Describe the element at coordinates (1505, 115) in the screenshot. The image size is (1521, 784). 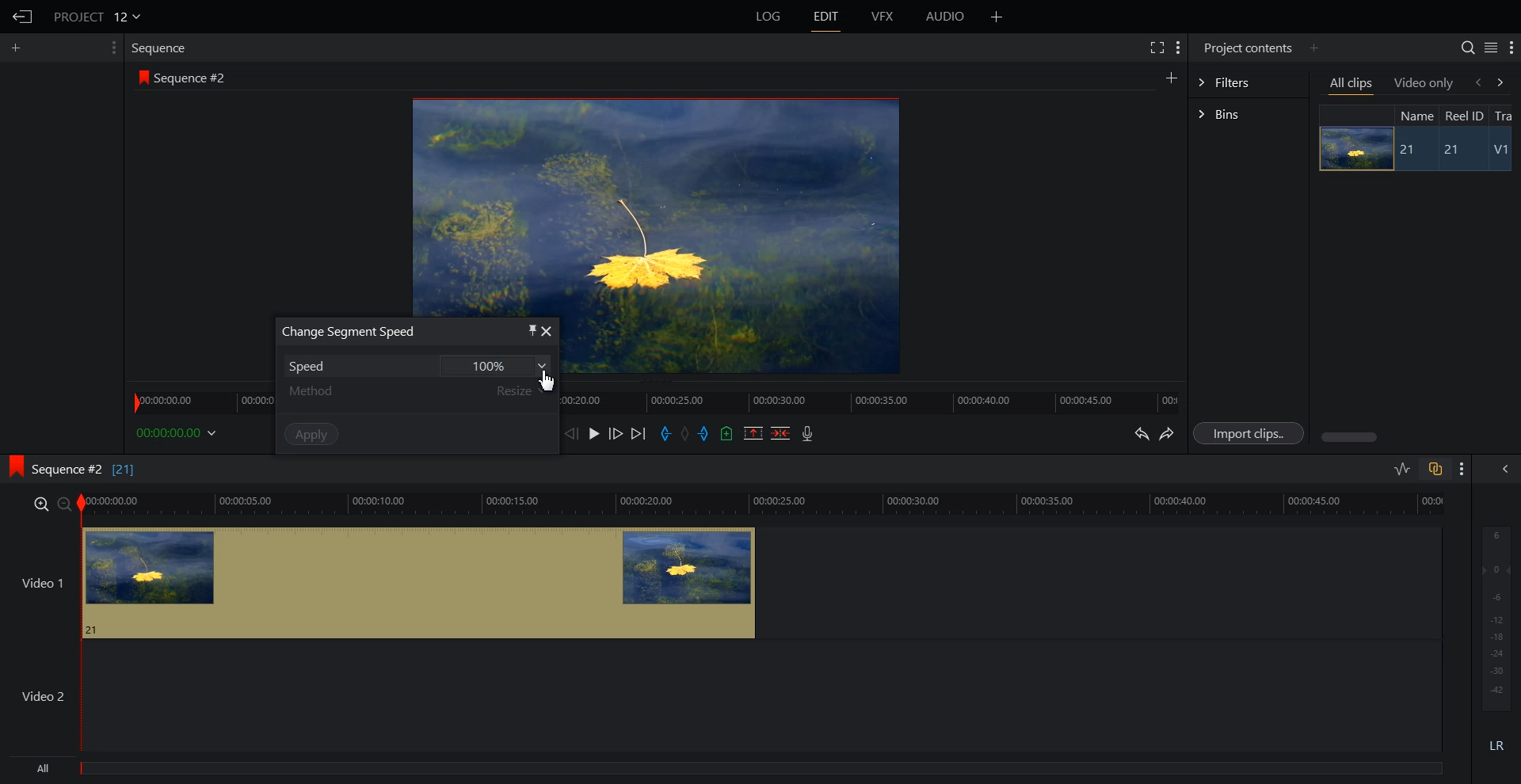
I see `Tra` at that location.